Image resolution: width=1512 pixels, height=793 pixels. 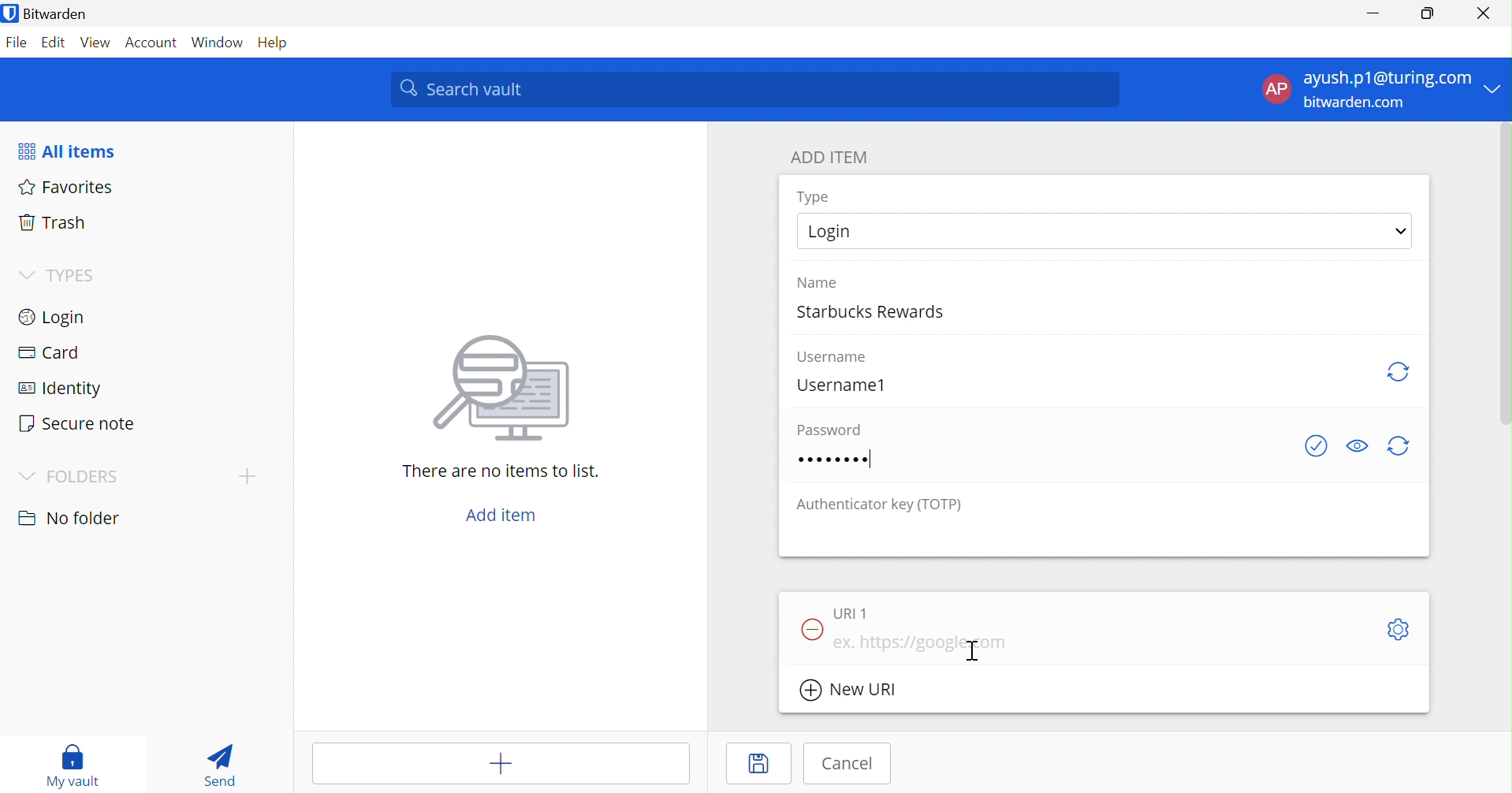 What do you see at coordinates (224, 764) in the screenshot?
I see `Send` at bounding box center [224, 764].